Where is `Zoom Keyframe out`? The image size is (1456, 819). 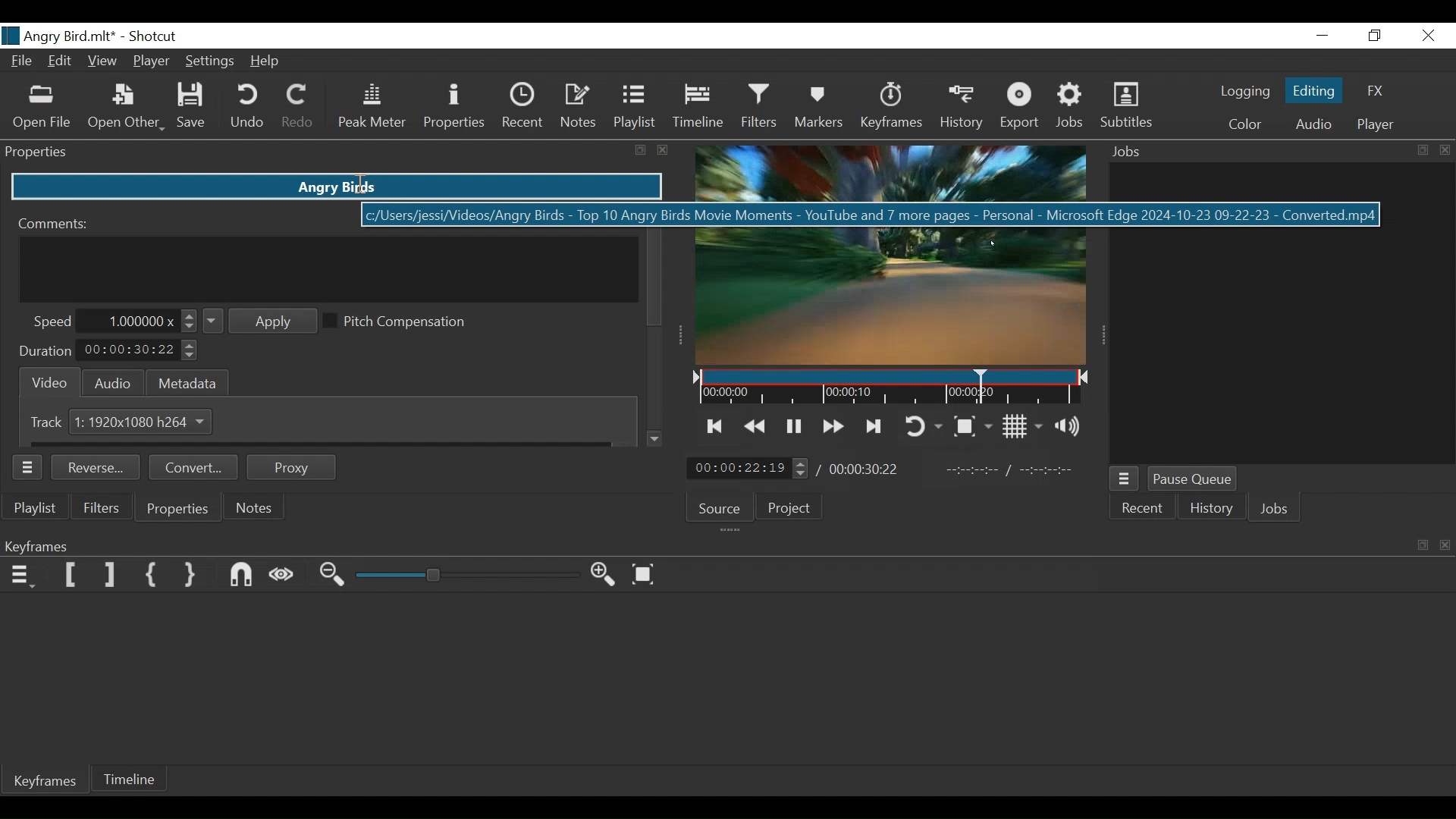 Zoom Keyframe out is located at coordinates (334, 576).